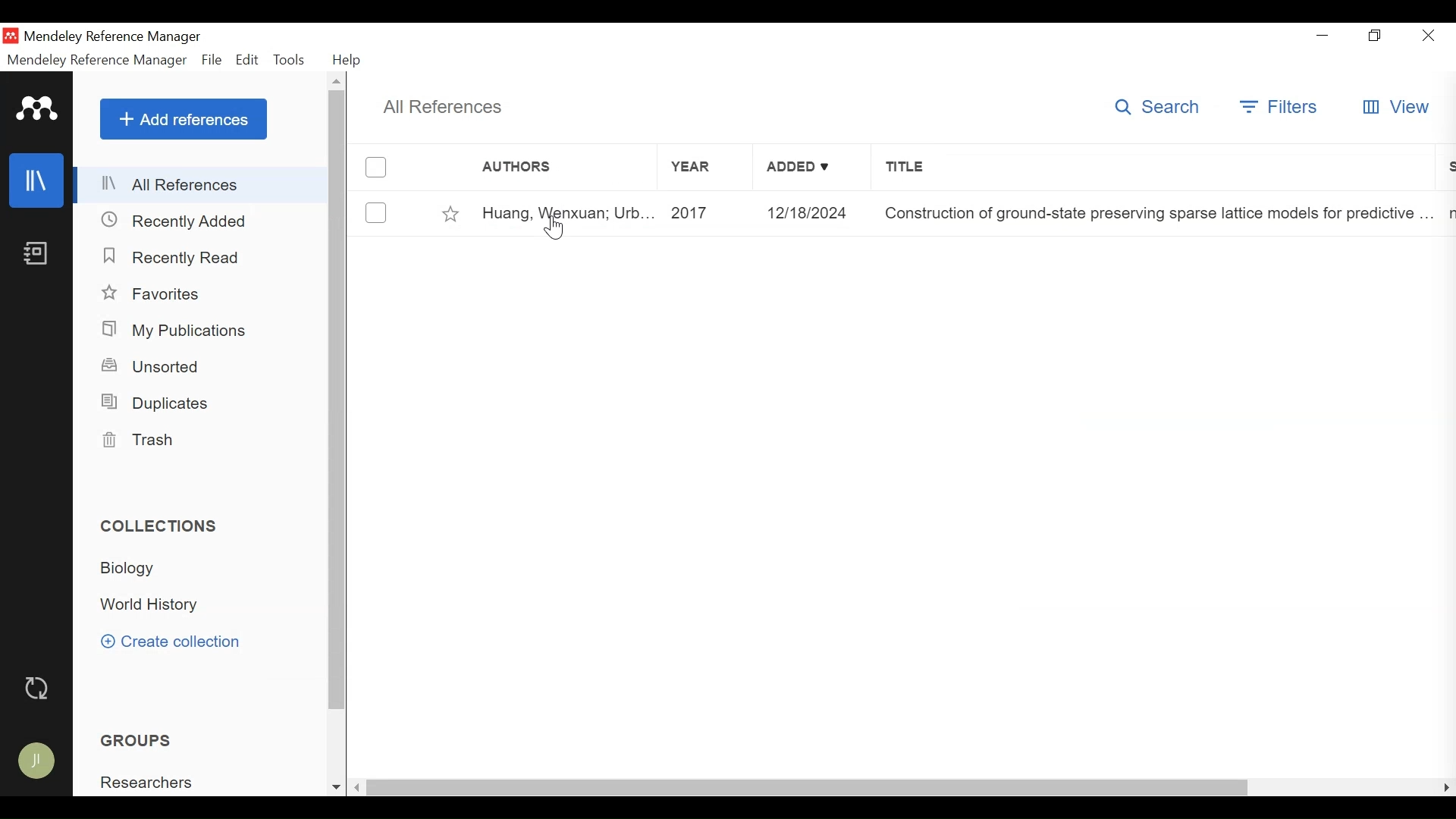 This screenshot has width=1456, height=819. What do you see at coordinates (140, 739) in the screenshot?
I see `Group` at bounding box center [140, 739].